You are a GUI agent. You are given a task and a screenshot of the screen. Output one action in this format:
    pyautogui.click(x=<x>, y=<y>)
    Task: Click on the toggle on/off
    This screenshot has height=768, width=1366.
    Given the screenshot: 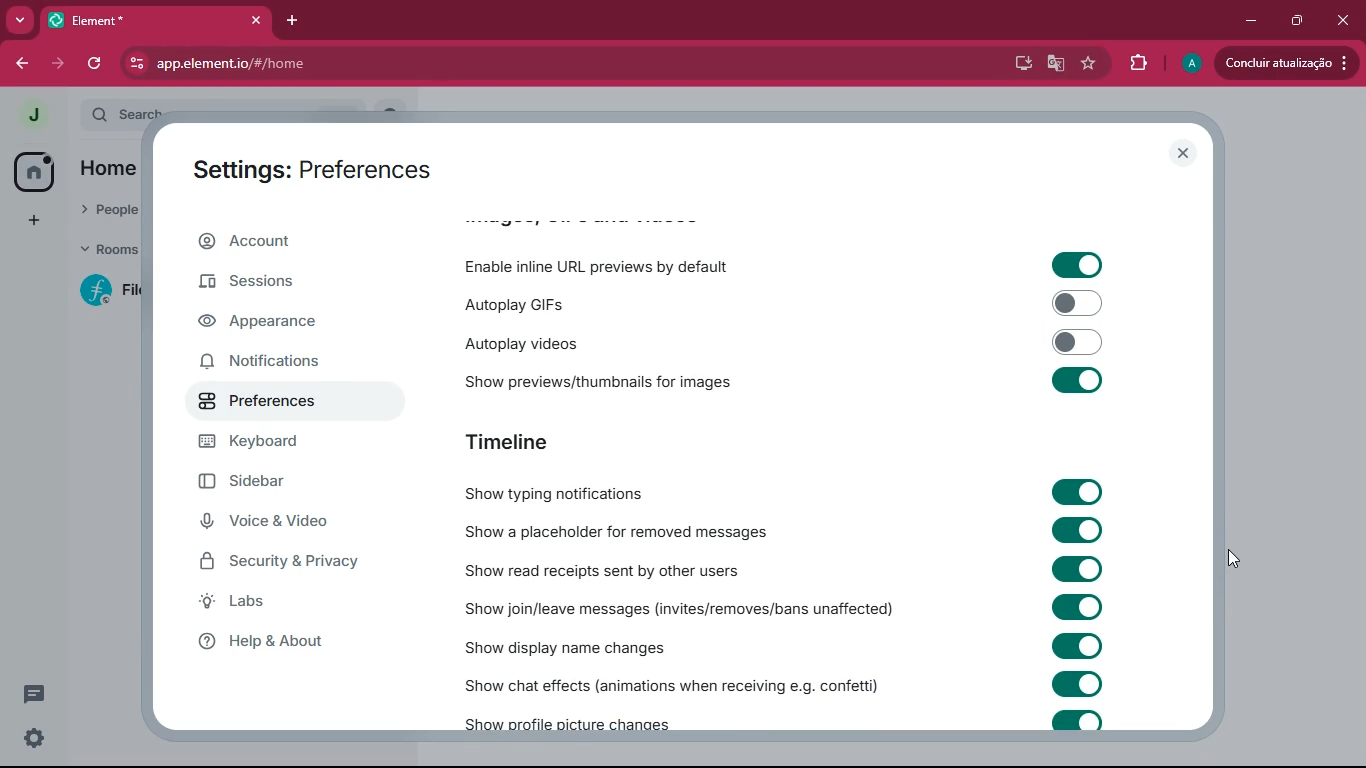 What is the action you would take?
    pyautogui.click(x=1077, y=607)
    